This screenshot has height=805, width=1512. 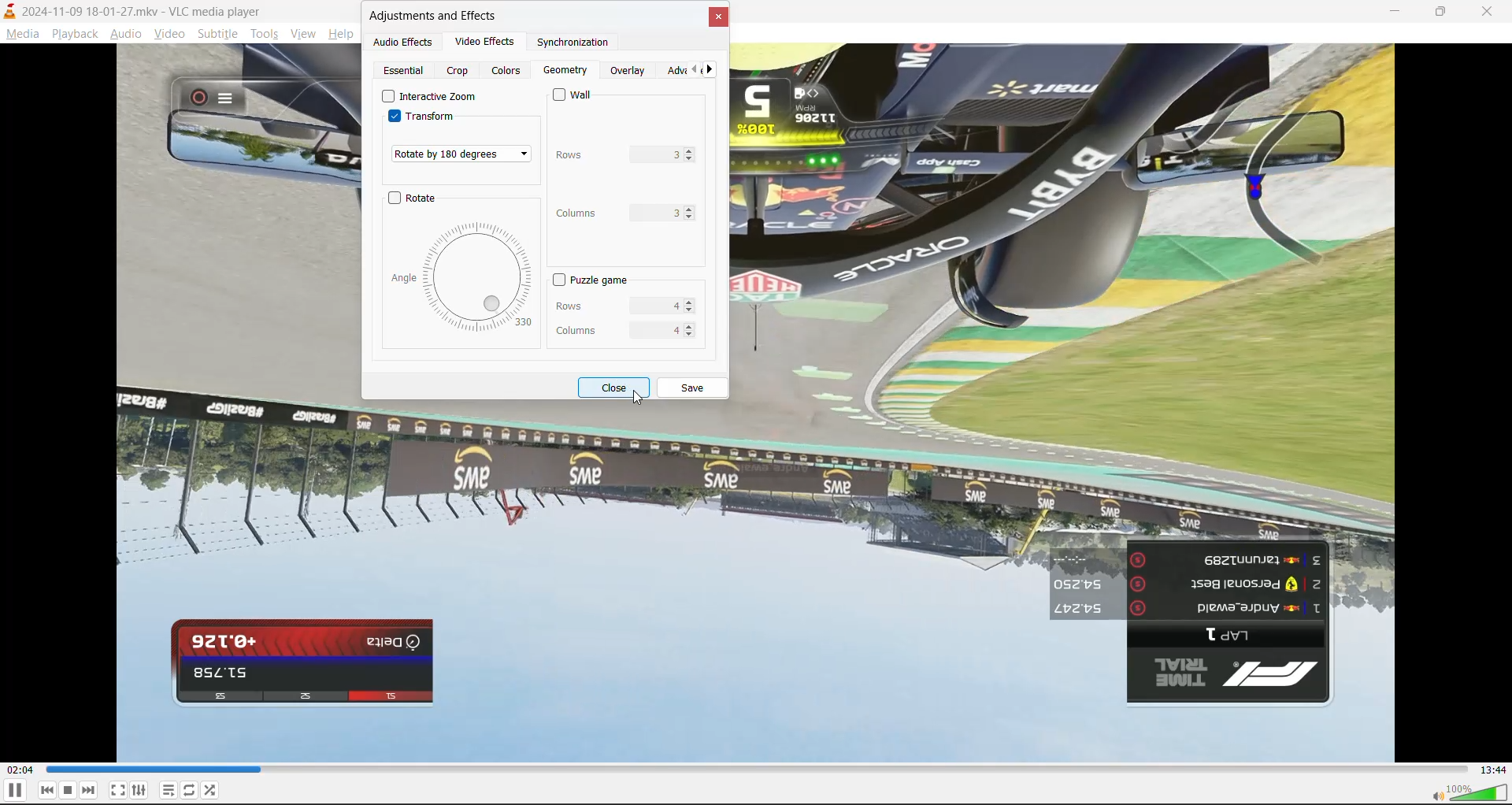 What do you see at coordinates (691, 150) in the screenshot?
I see `Increase` at bounding box center [691, 150].